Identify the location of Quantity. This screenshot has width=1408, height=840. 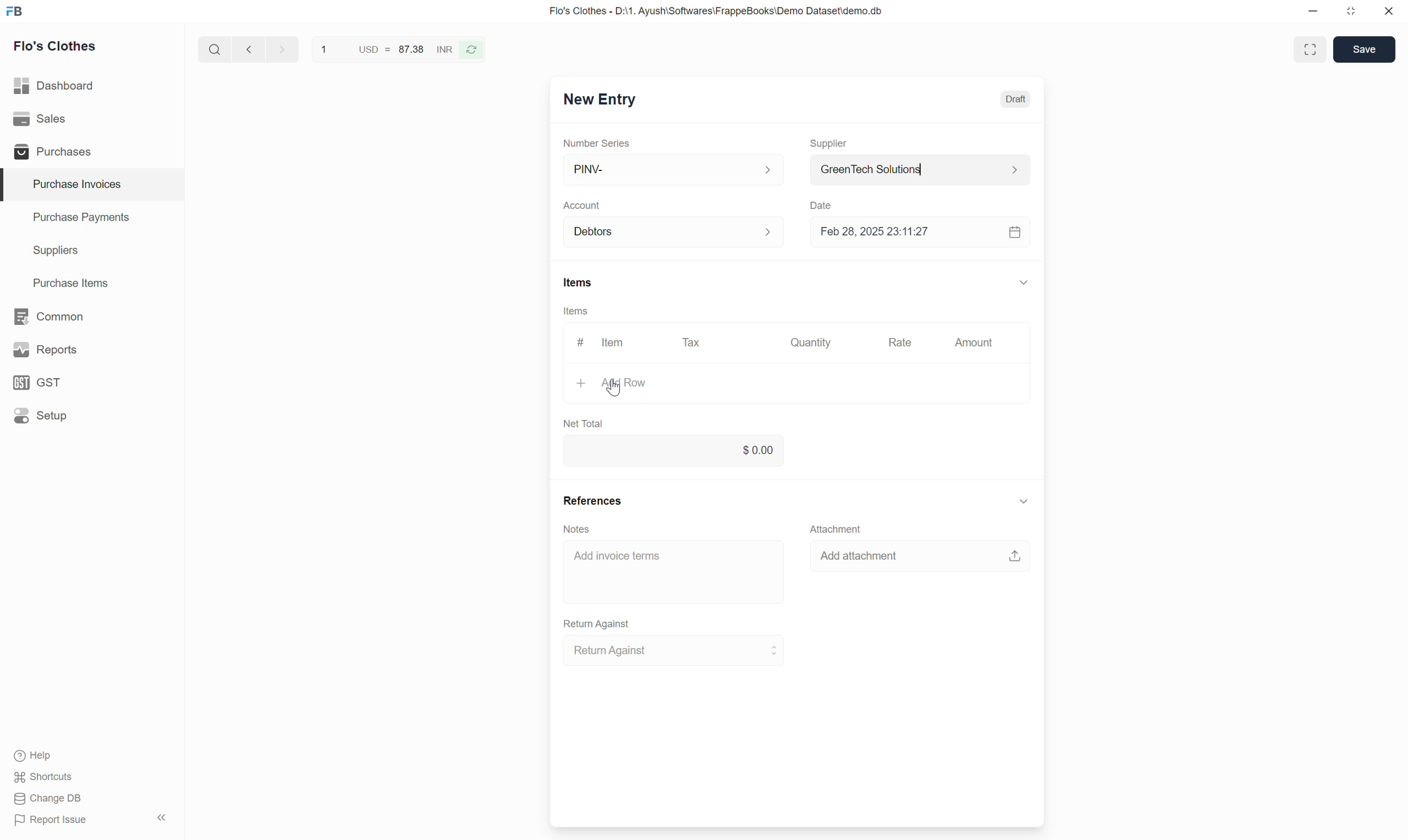
(811, 341).